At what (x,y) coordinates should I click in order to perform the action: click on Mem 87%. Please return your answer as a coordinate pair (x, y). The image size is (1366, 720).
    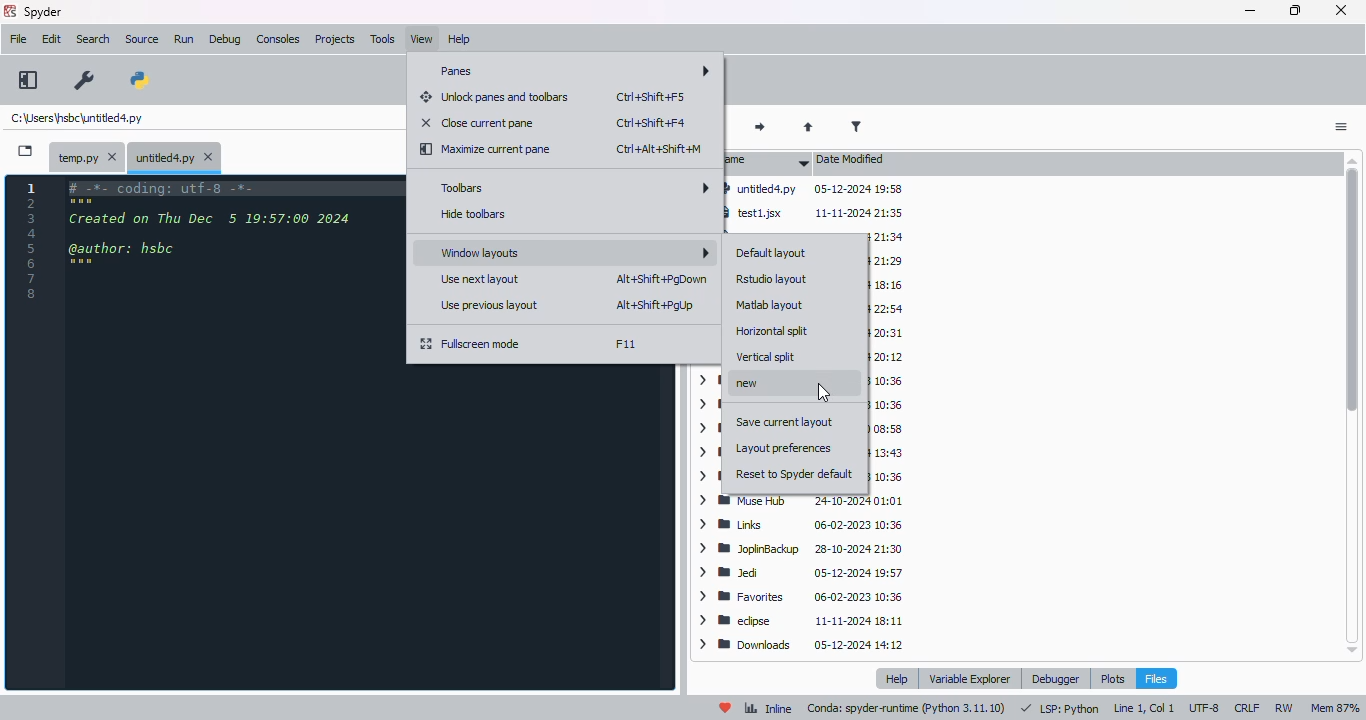
    Looking at the image, I should click on (1336, 709).